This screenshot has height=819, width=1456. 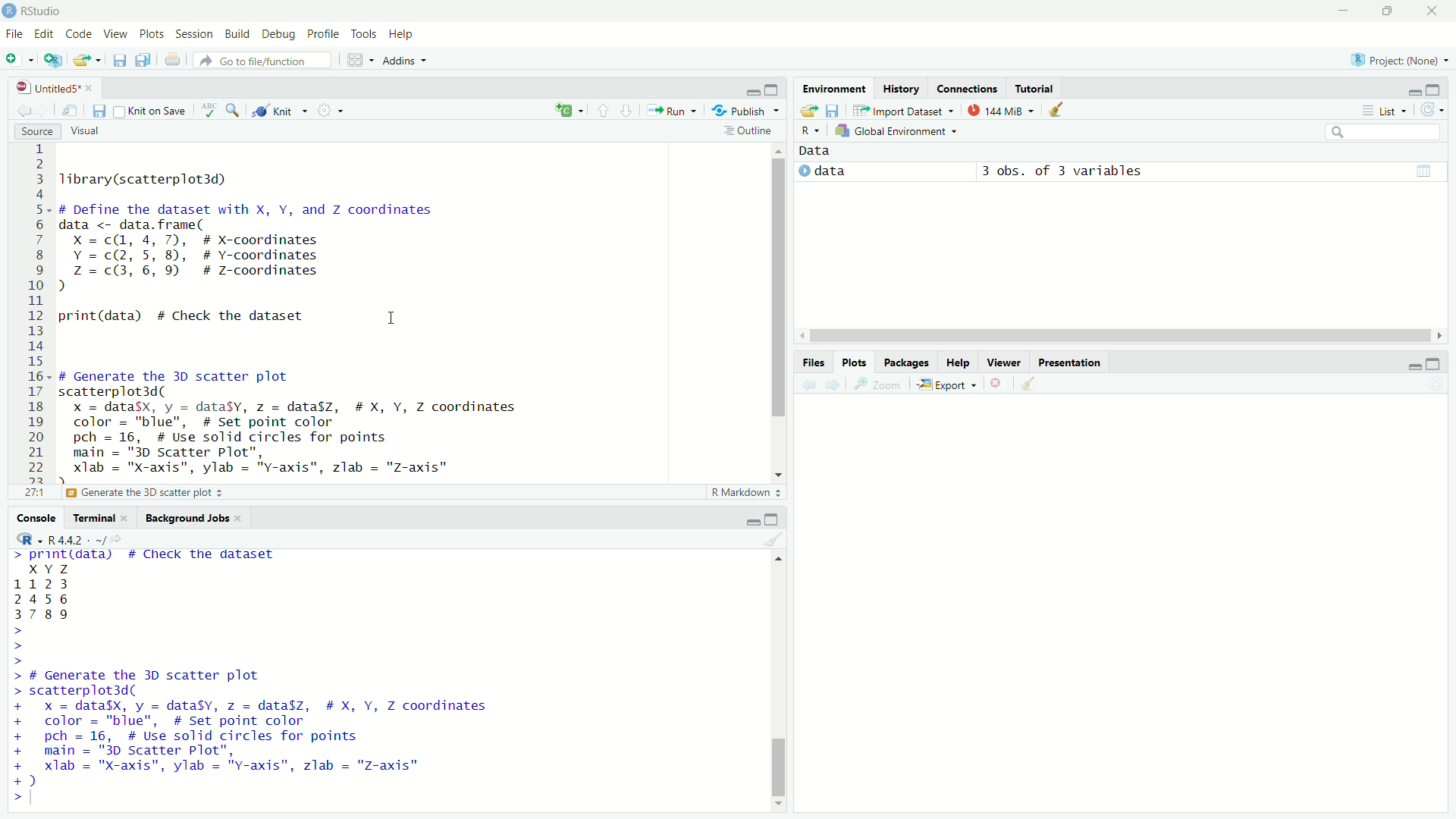 I want to click on Print the current file, so click(x=174, y=60).